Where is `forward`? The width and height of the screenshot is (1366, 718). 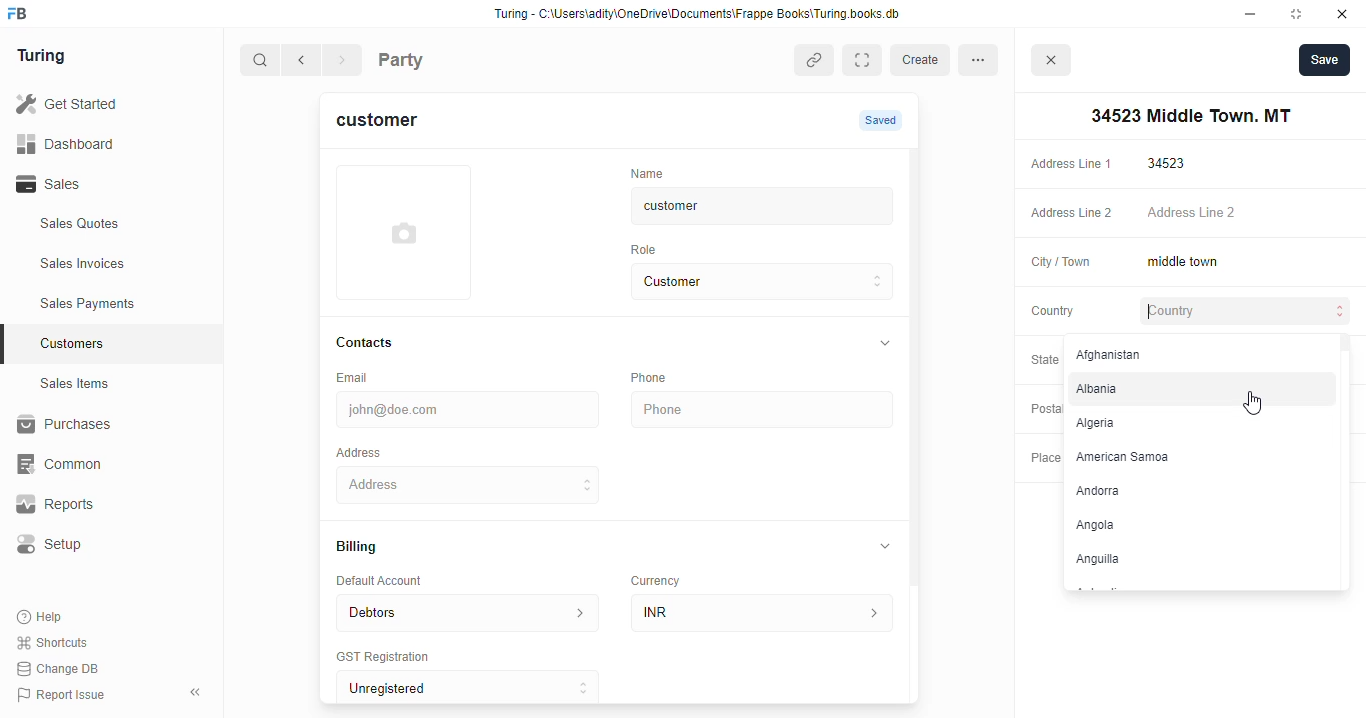
forward is located at coordinates (344, 62).